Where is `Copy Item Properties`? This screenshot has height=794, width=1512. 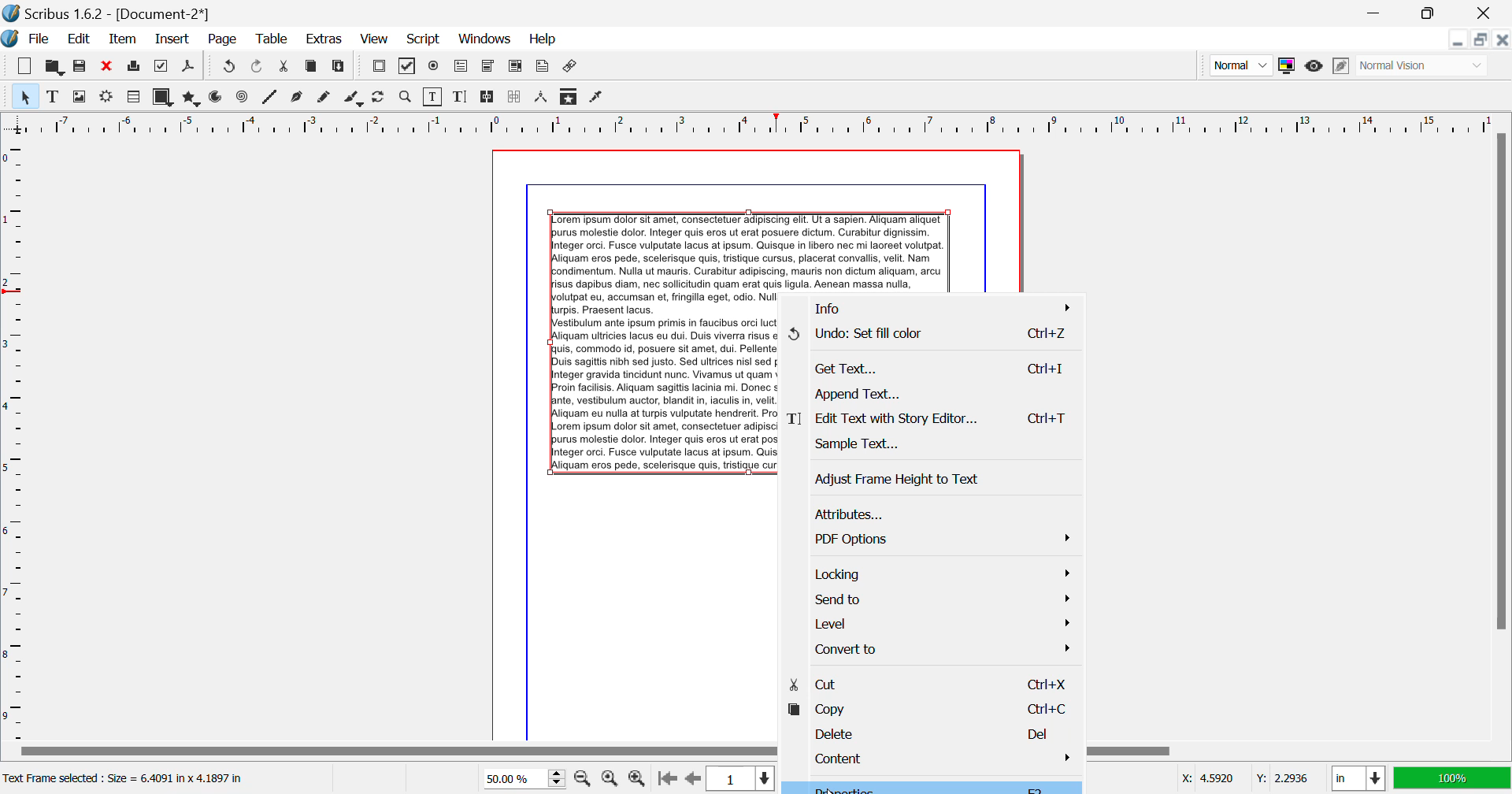
Copy Item Properties is located at coordinates (570, 96).